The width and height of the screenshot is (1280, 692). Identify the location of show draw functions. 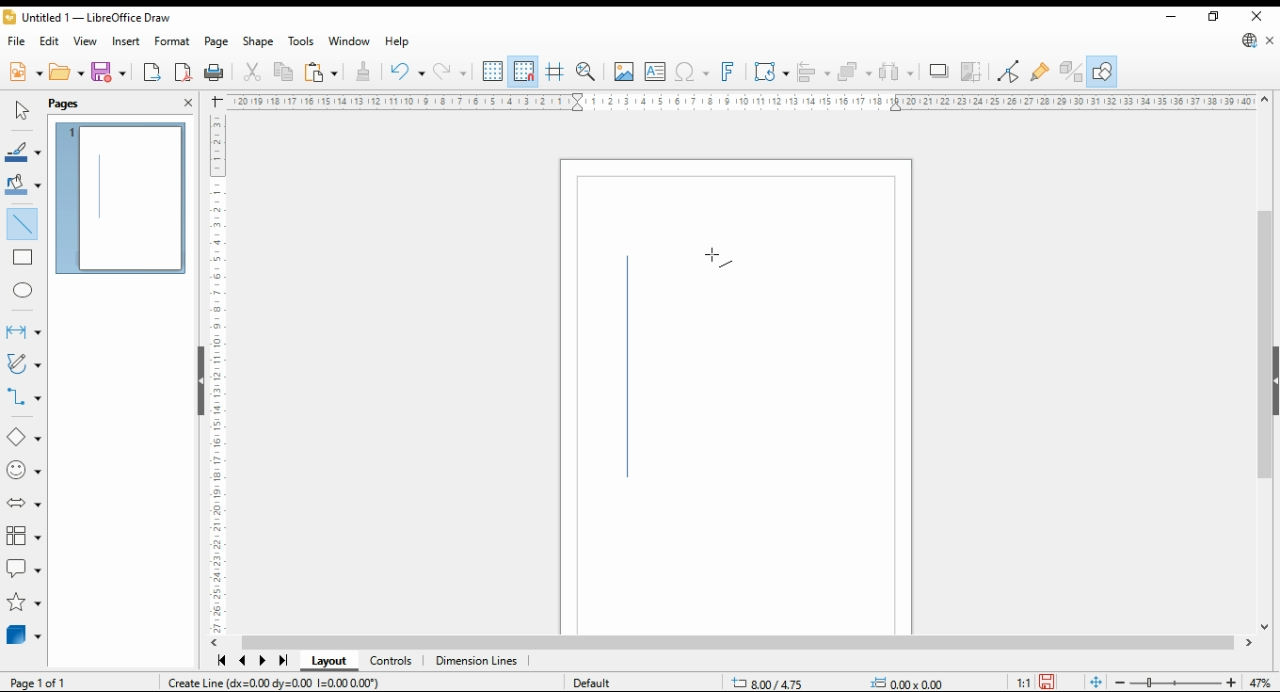
(1102, 71).